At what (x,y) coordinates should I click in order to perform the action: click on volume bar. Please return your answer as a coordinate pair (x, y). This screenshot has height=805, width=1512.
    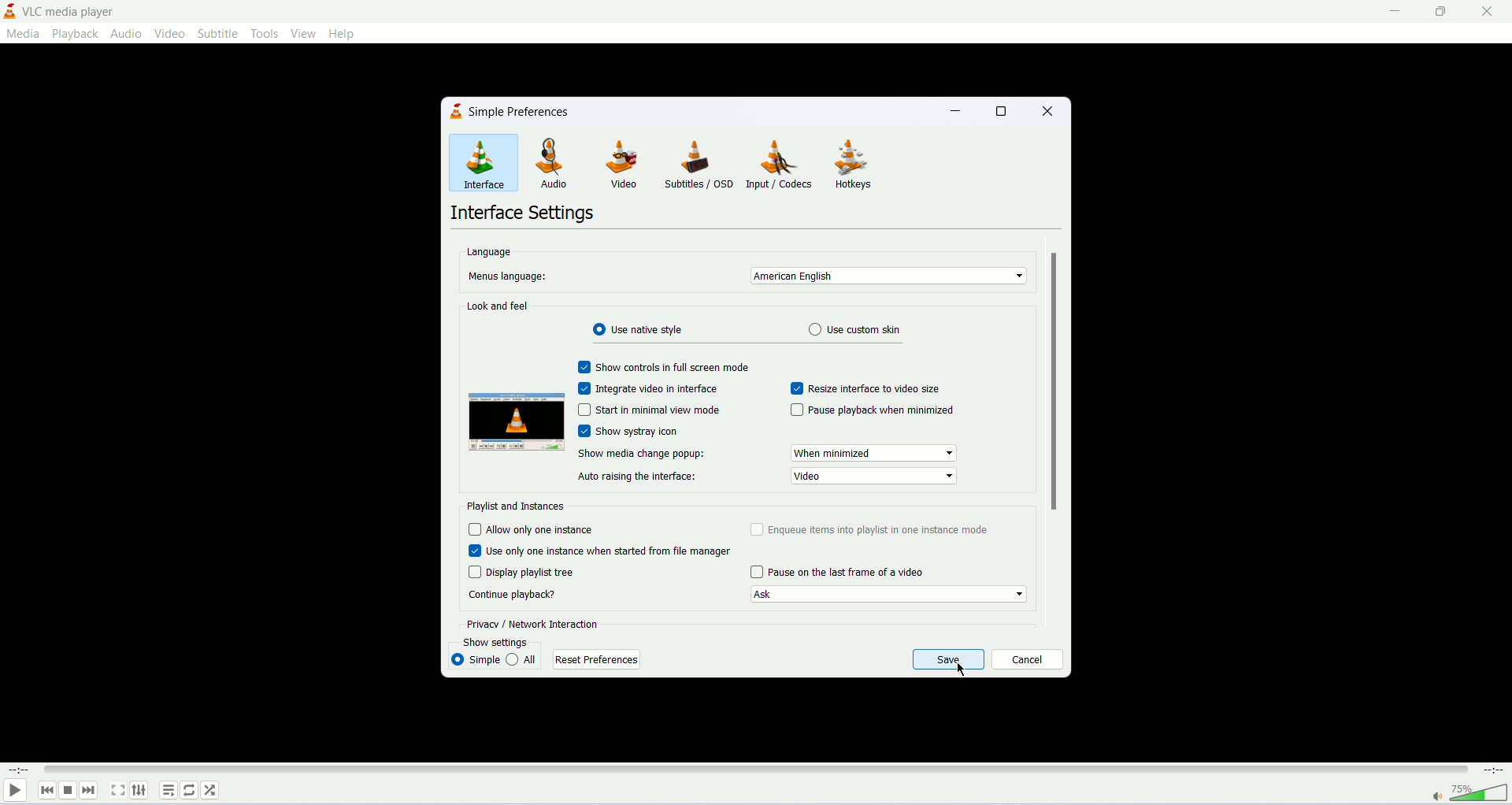
    Looking at the image, I should click on (1480, 792).